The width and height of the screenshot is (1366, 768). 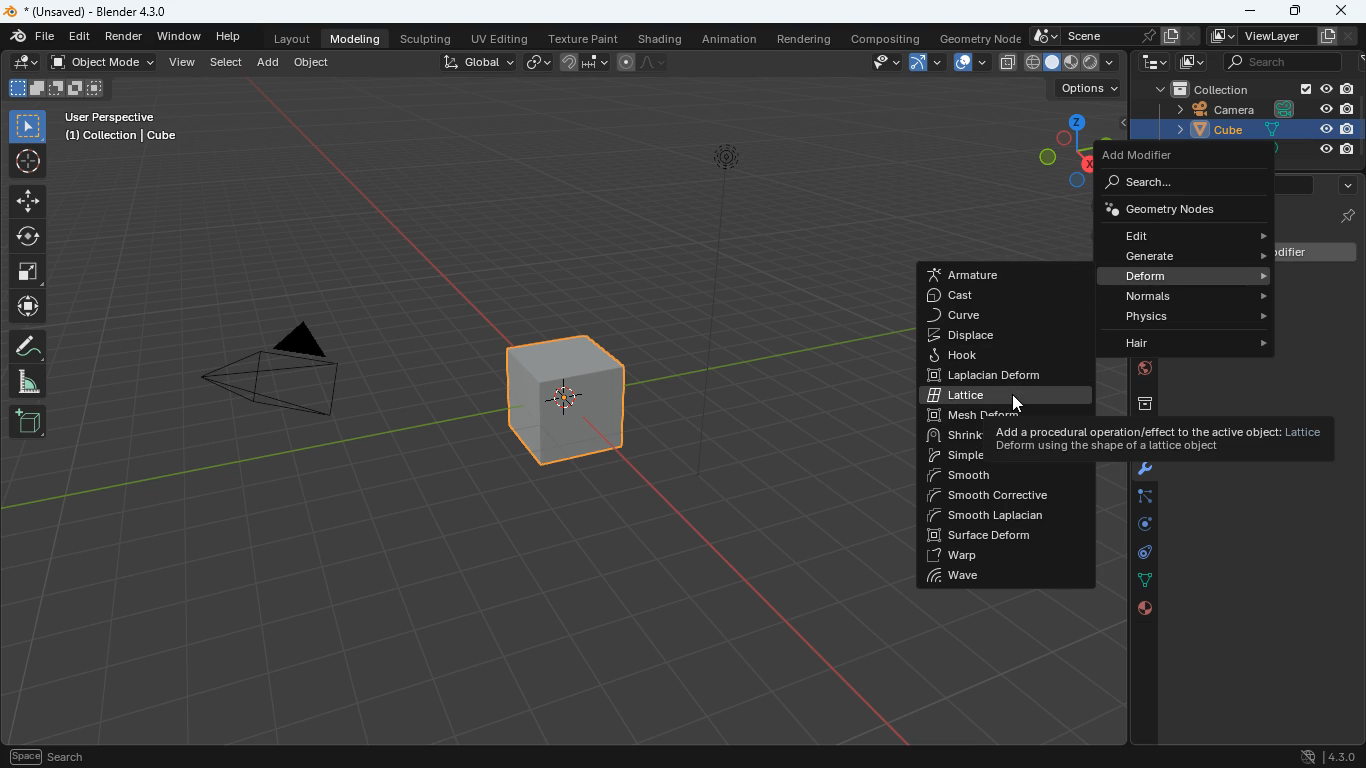 What do you see at coordinates (1195, 346) in the screenshot?
I see `hair` at bounding box center [1195, 346].